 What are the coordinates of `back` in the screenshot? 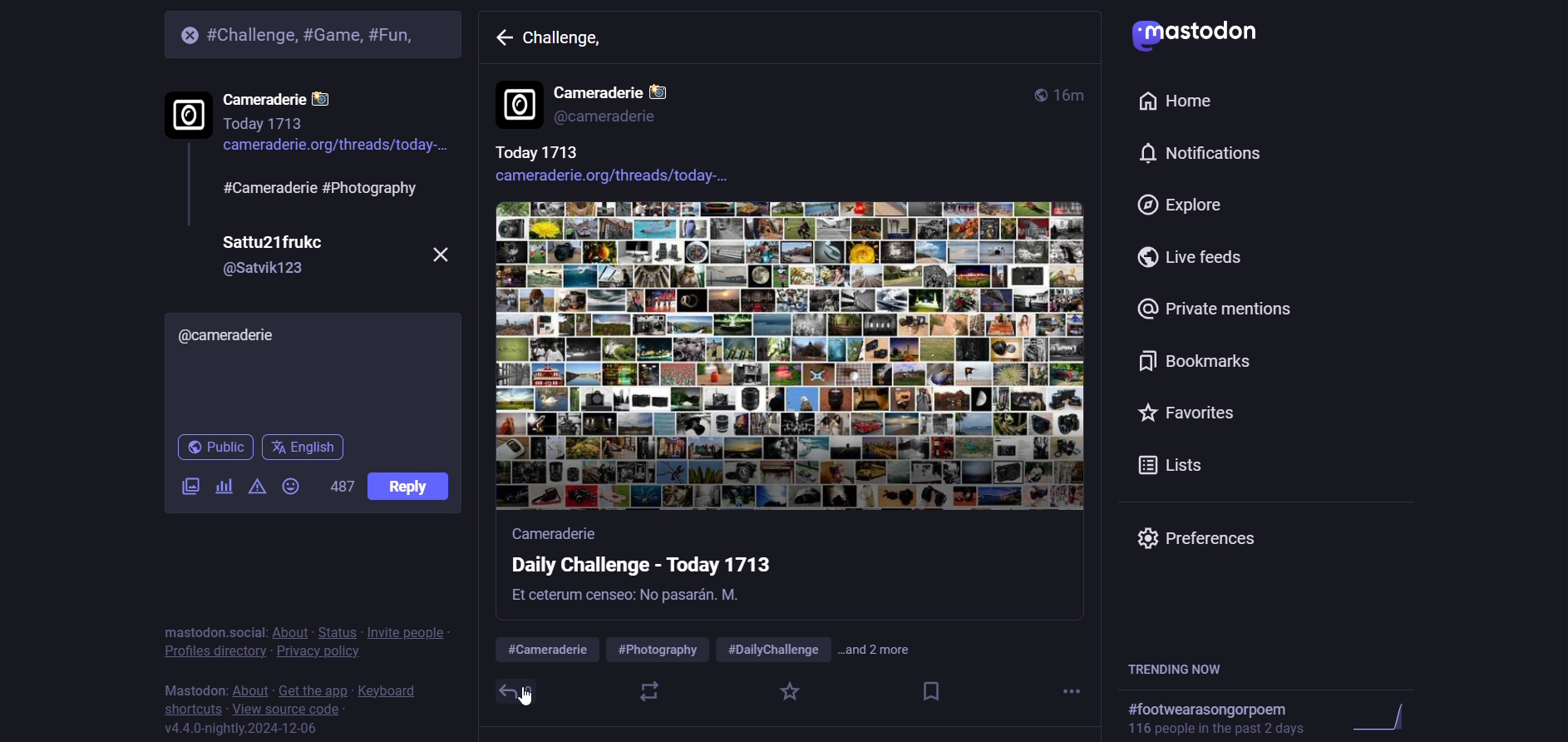 It's located at (502, 40).